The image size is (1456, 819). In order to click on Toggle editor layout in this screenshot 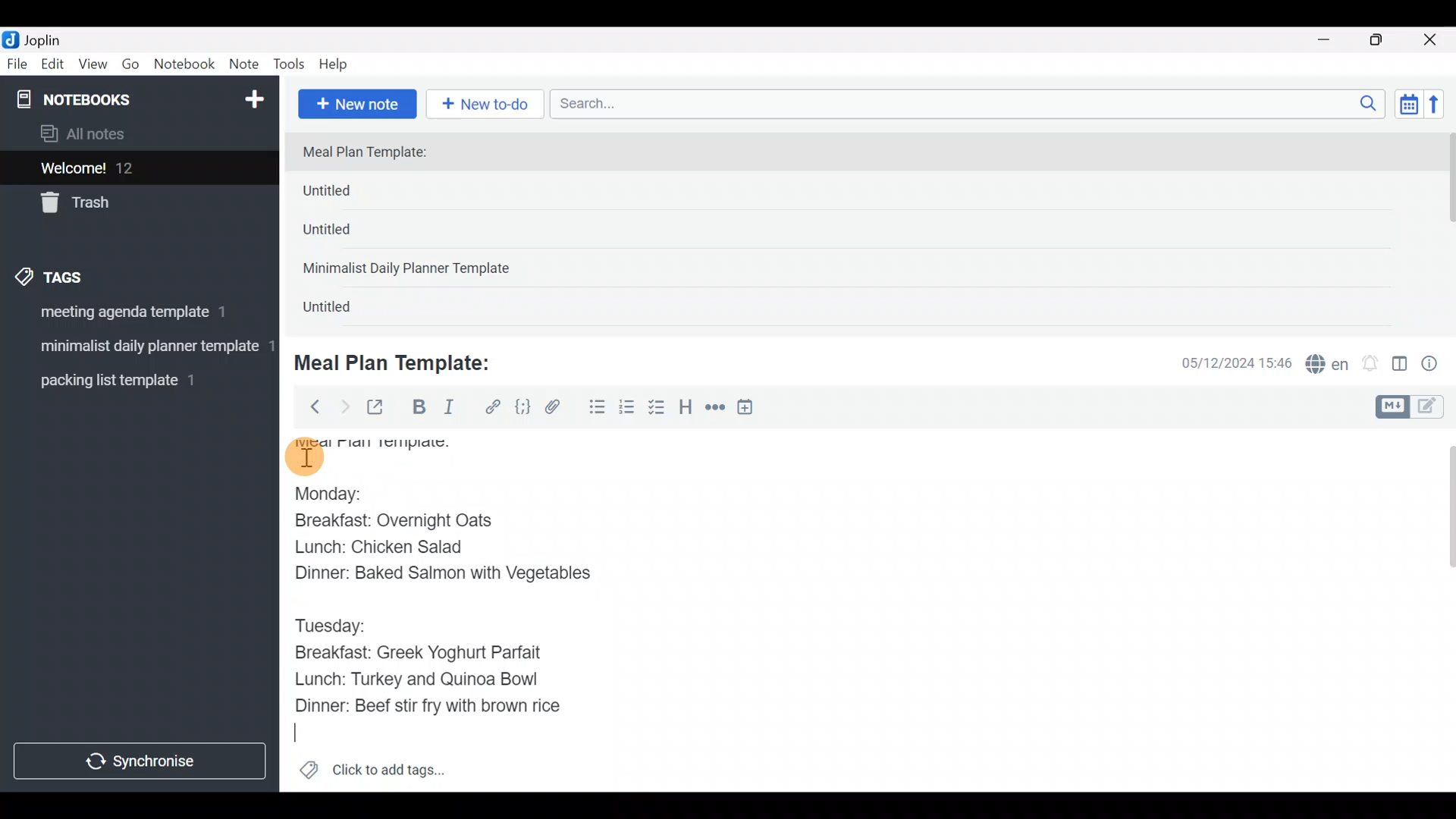, I will do `click(1401, 366)`.